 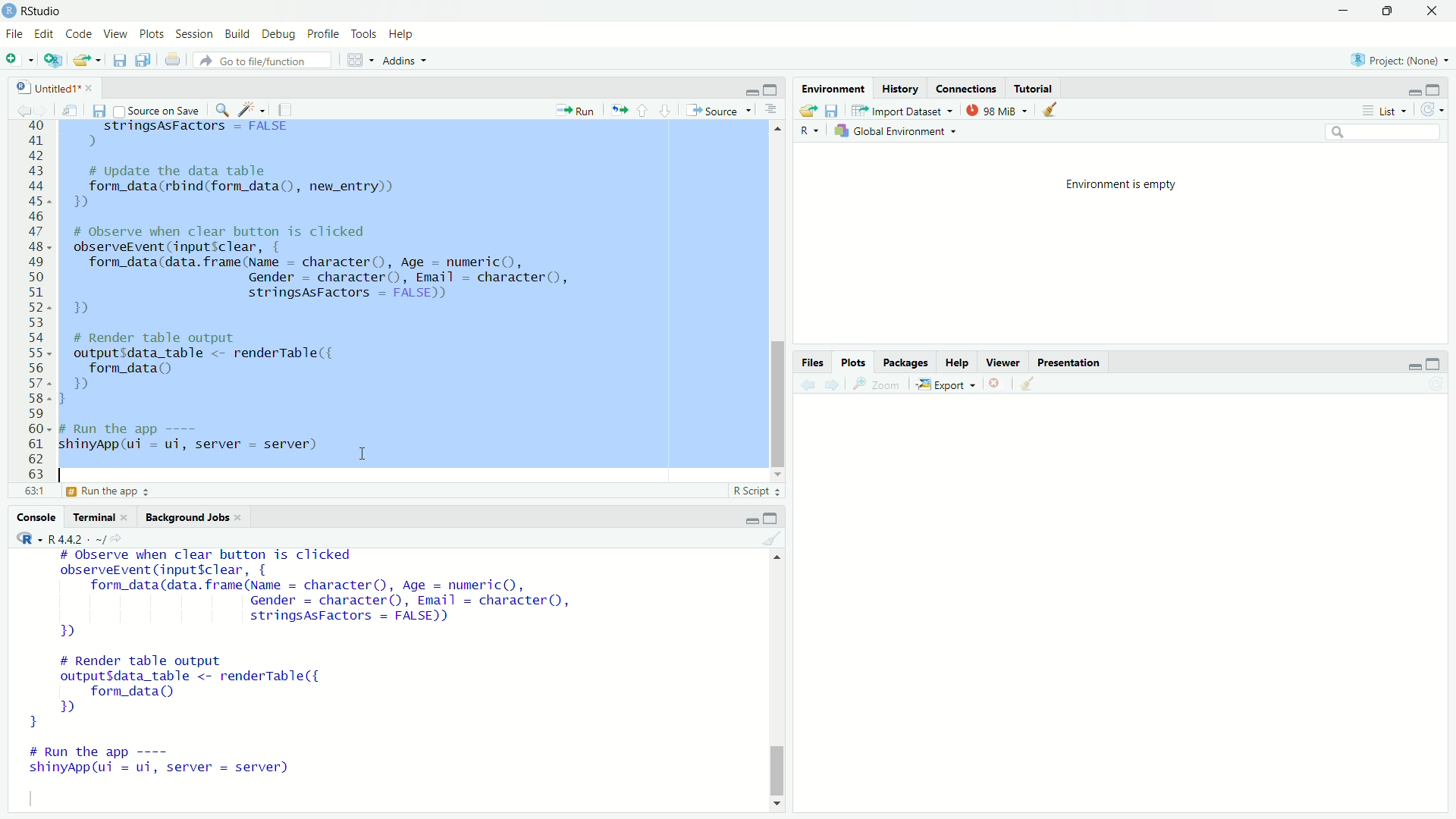 I want to click on File, so click(x=14, y=33).